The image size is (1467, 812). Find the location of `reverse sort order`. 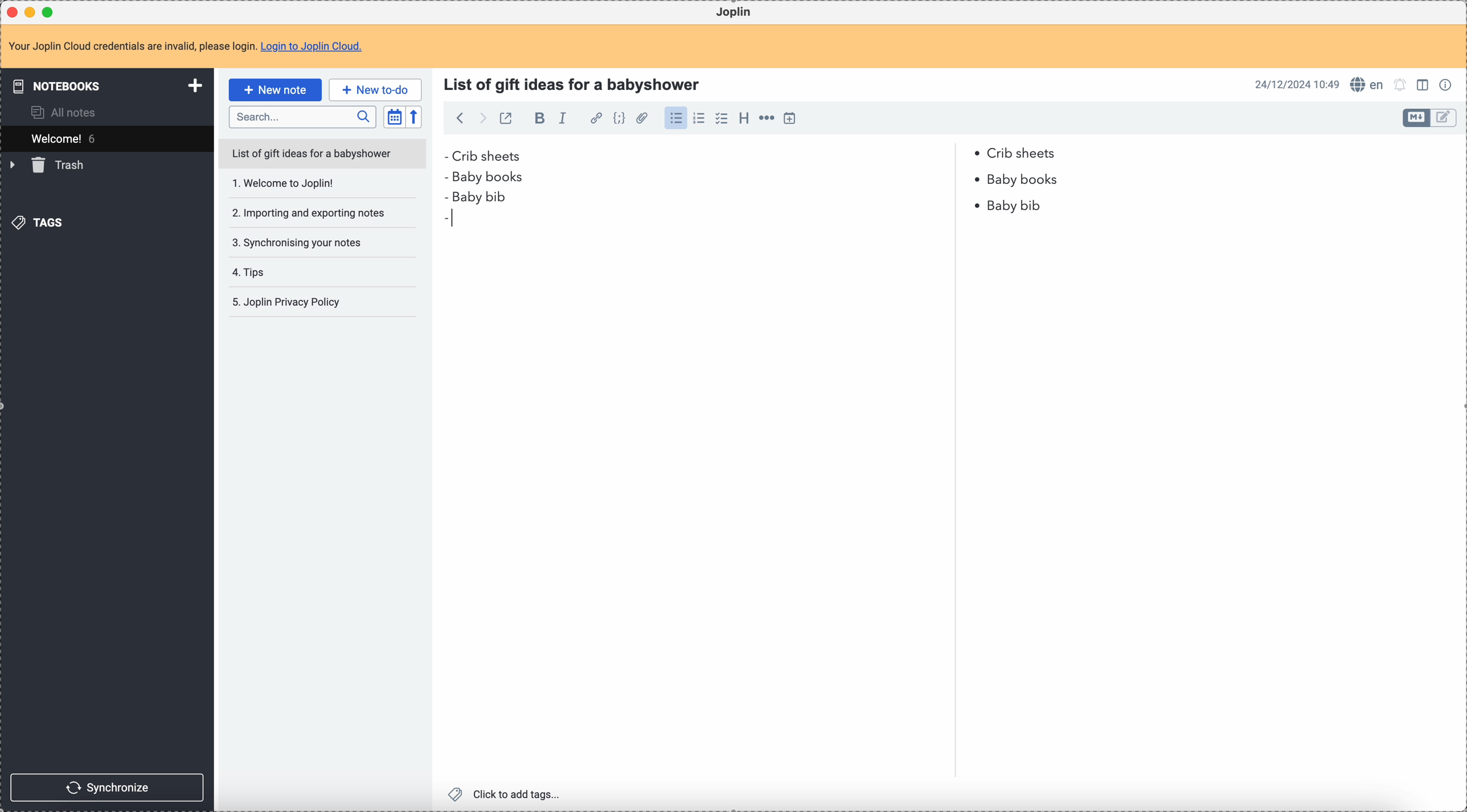

reverse sort order is located at coordinates (413, 118).